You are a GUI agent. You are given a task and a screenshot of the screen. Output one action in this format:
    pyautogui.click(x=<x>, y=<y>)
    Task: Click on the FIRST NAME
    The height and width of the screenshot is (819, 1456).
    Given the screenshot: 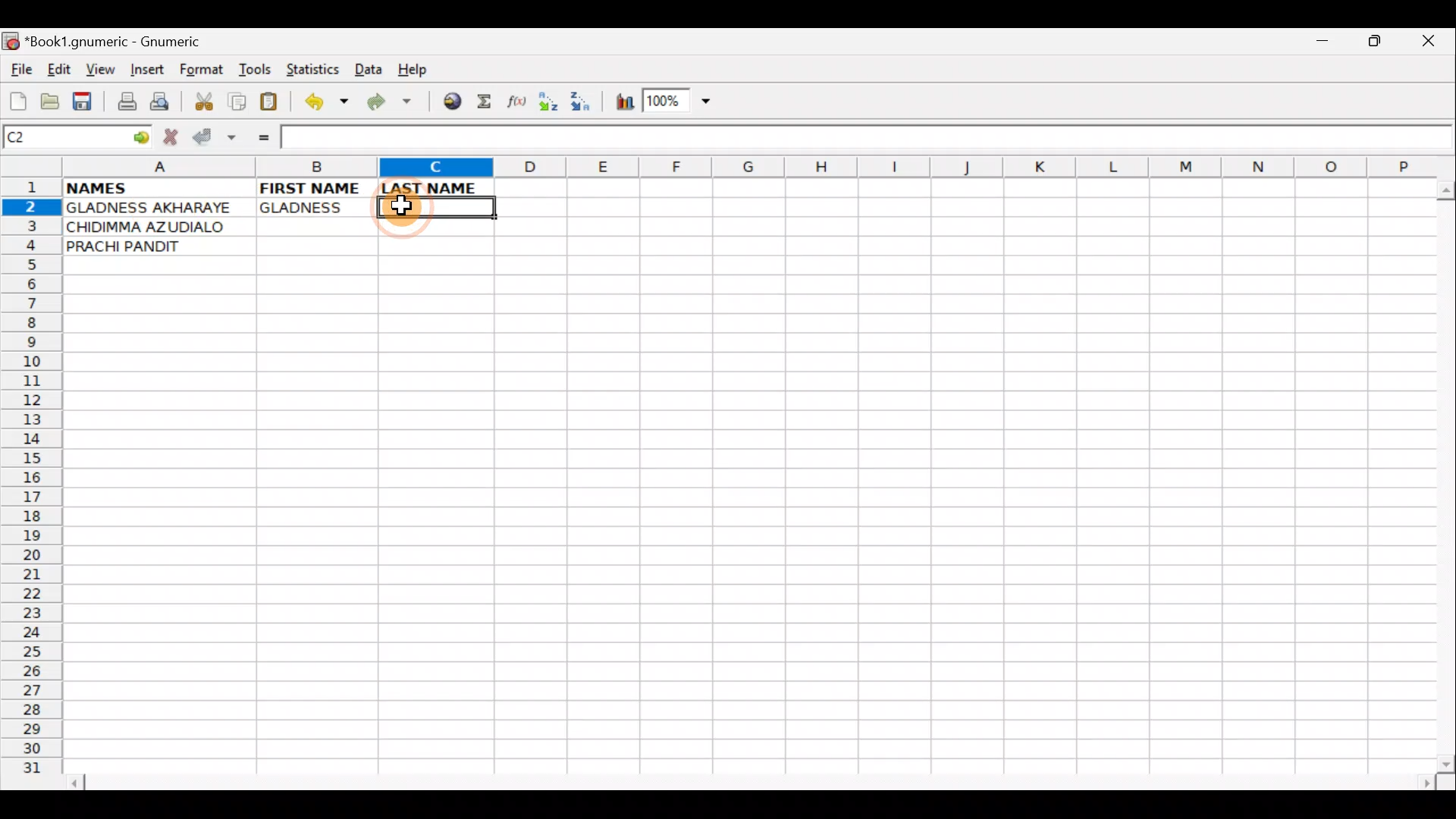 What is the action you would take?
    pyautogui.click(x=311, y=188)
    